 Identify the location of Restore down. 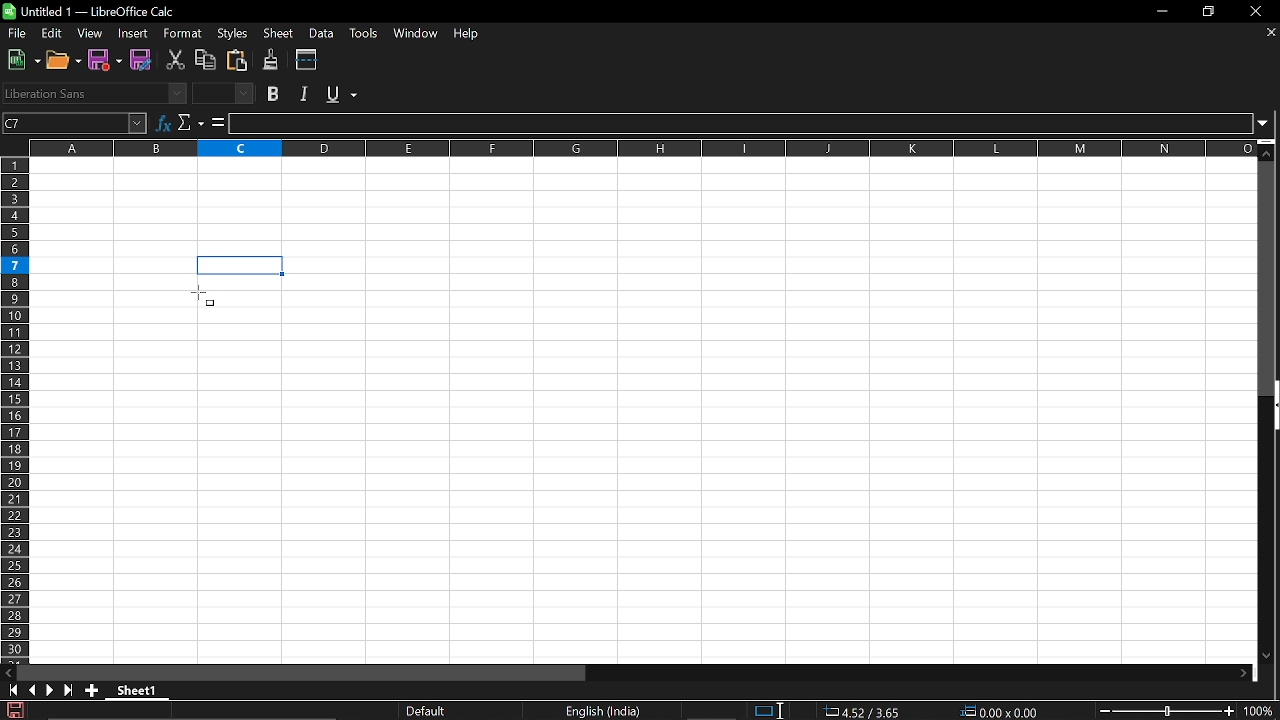
(1208, 13).